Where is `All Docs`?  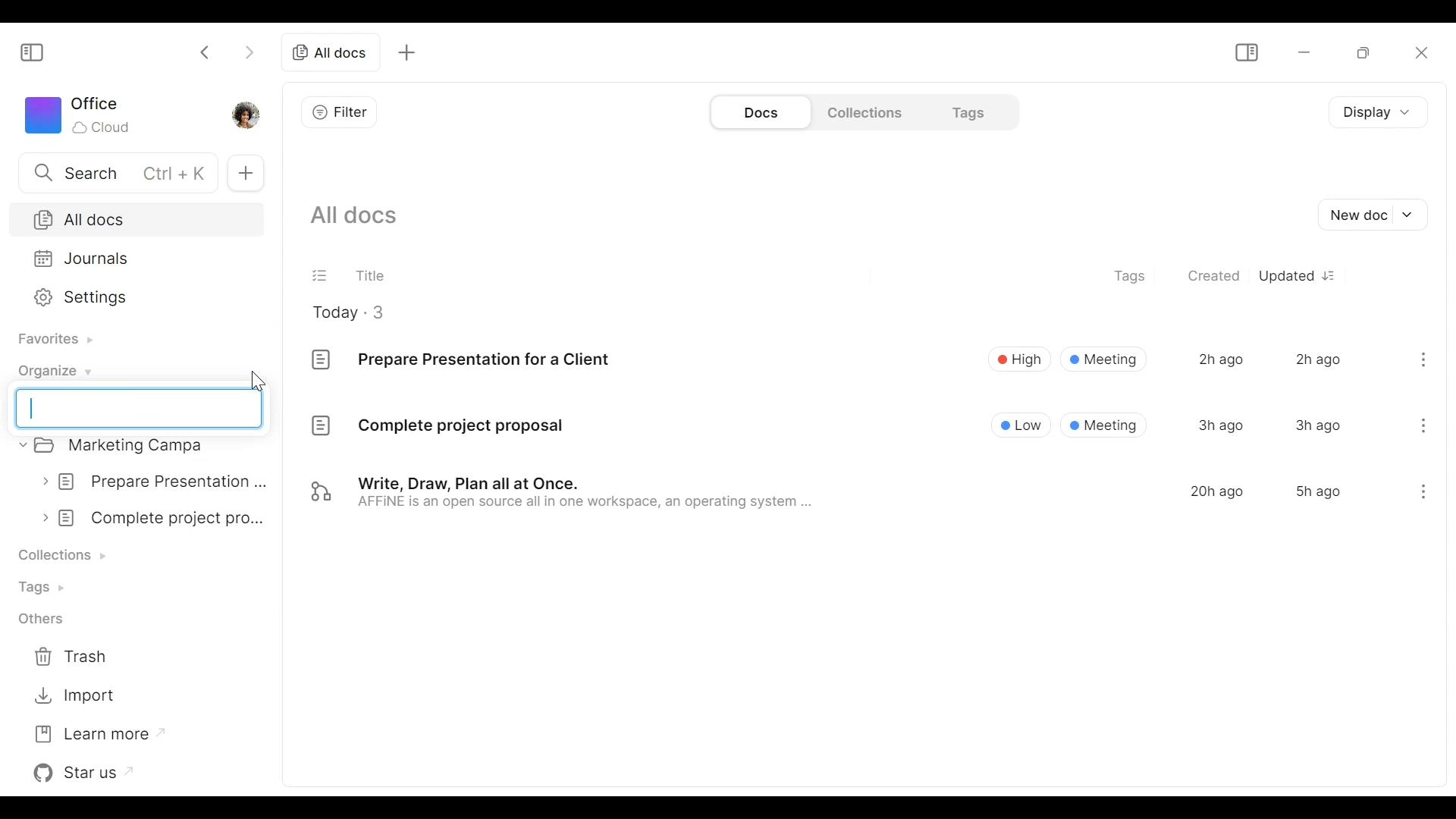
All Docs is located at coordinates (134, 219).